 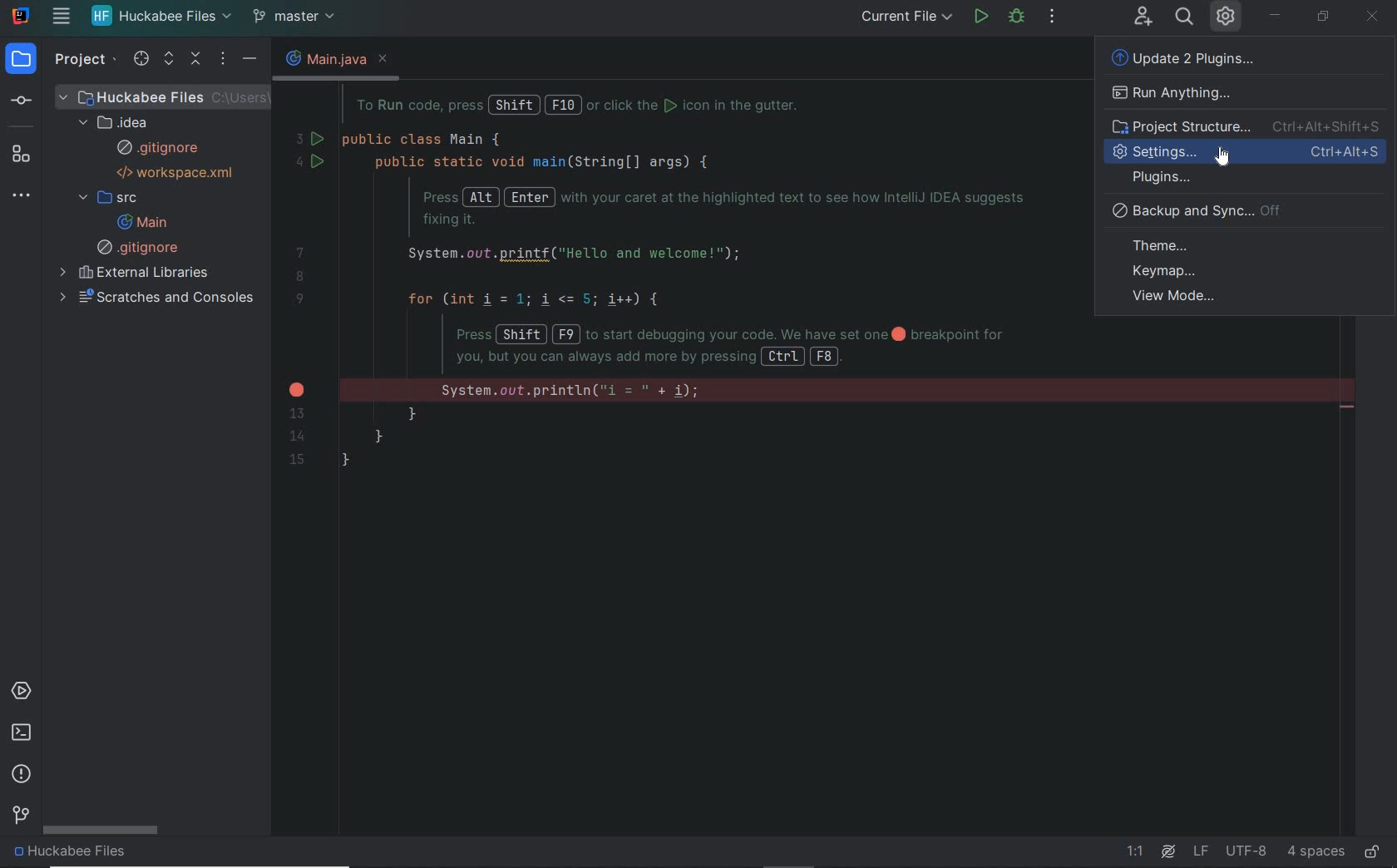 I want to click on more actions, so click(x=1051, y=17).